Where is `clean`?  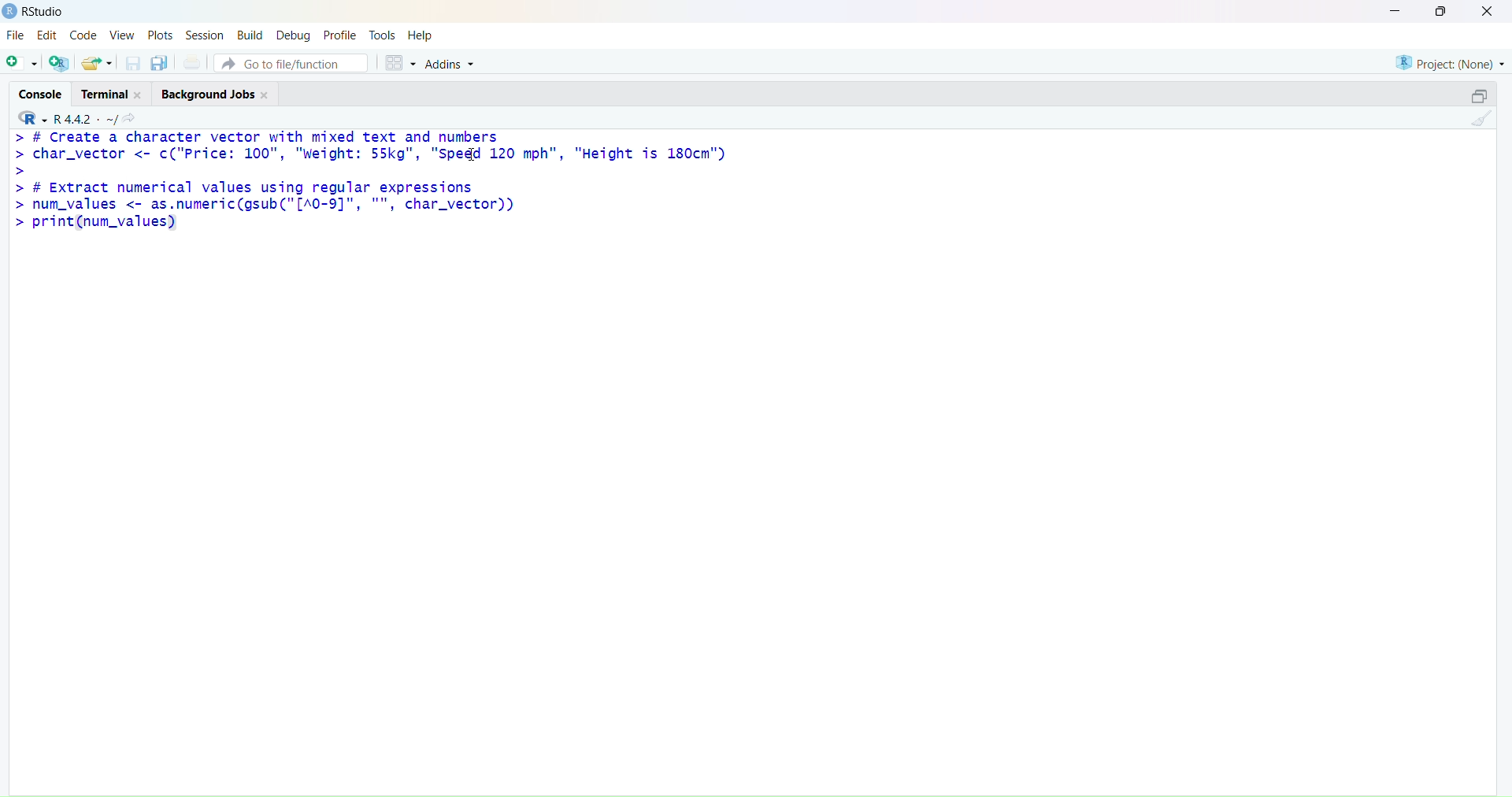
clean is located at coordinates (1482, 117).